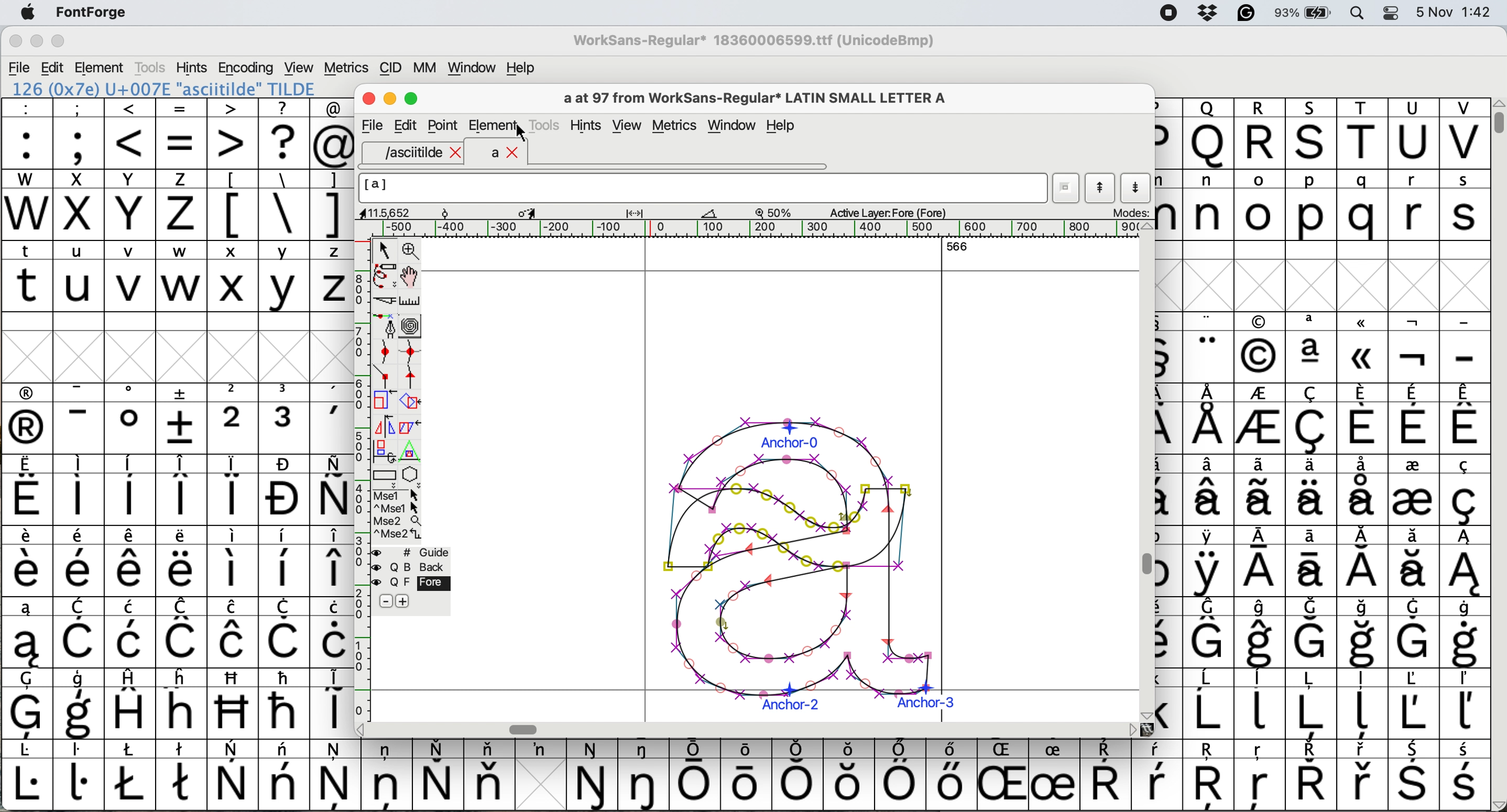 This screenshot has height=812, width=1507. What do you see at coordinates (149, 67) in the screenshot?
I see `tools` at bounding box center [149, 67].